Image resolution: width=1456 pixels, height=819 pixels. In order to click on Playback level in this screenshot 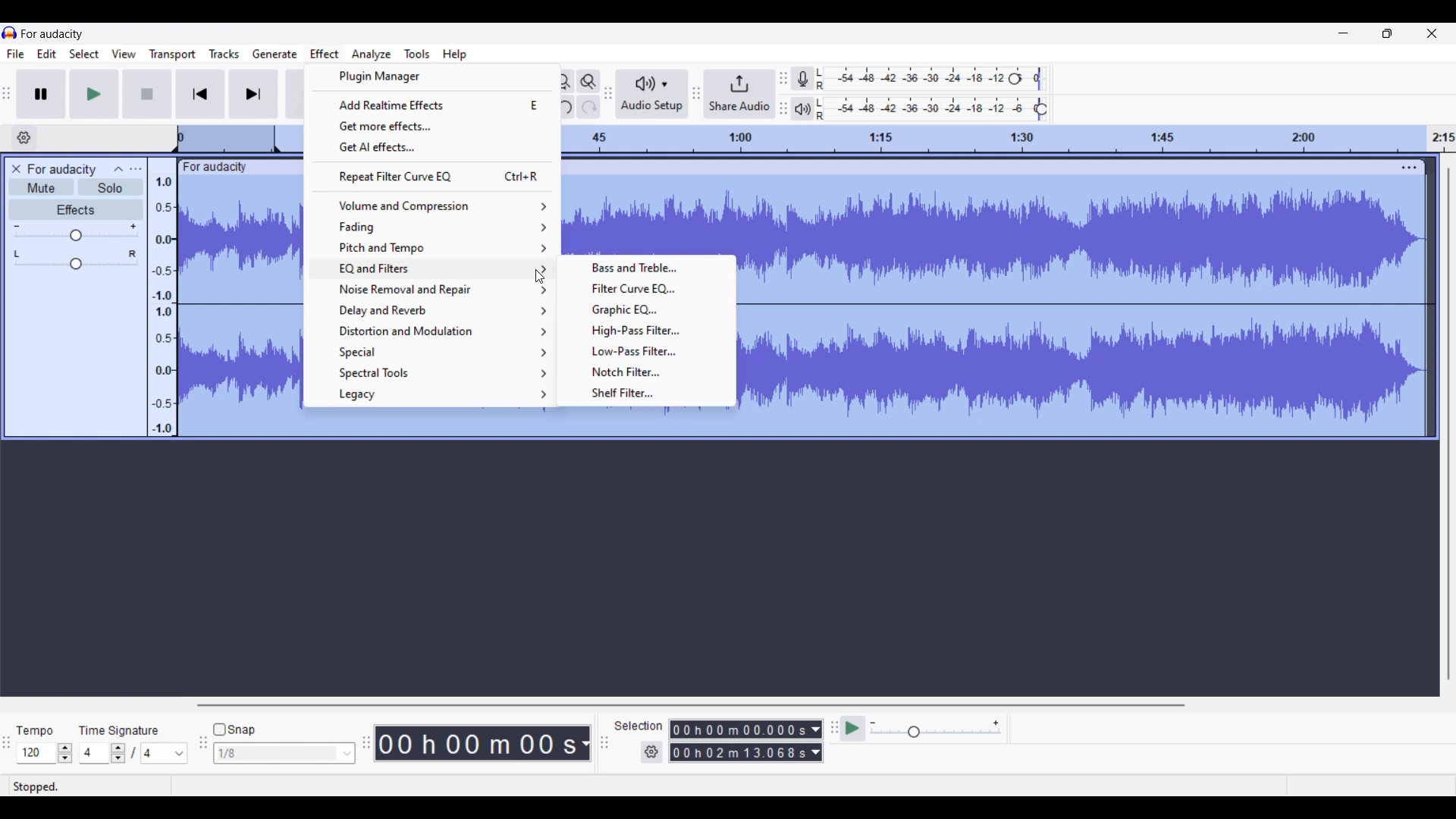, I will do `click(929, 109)`.